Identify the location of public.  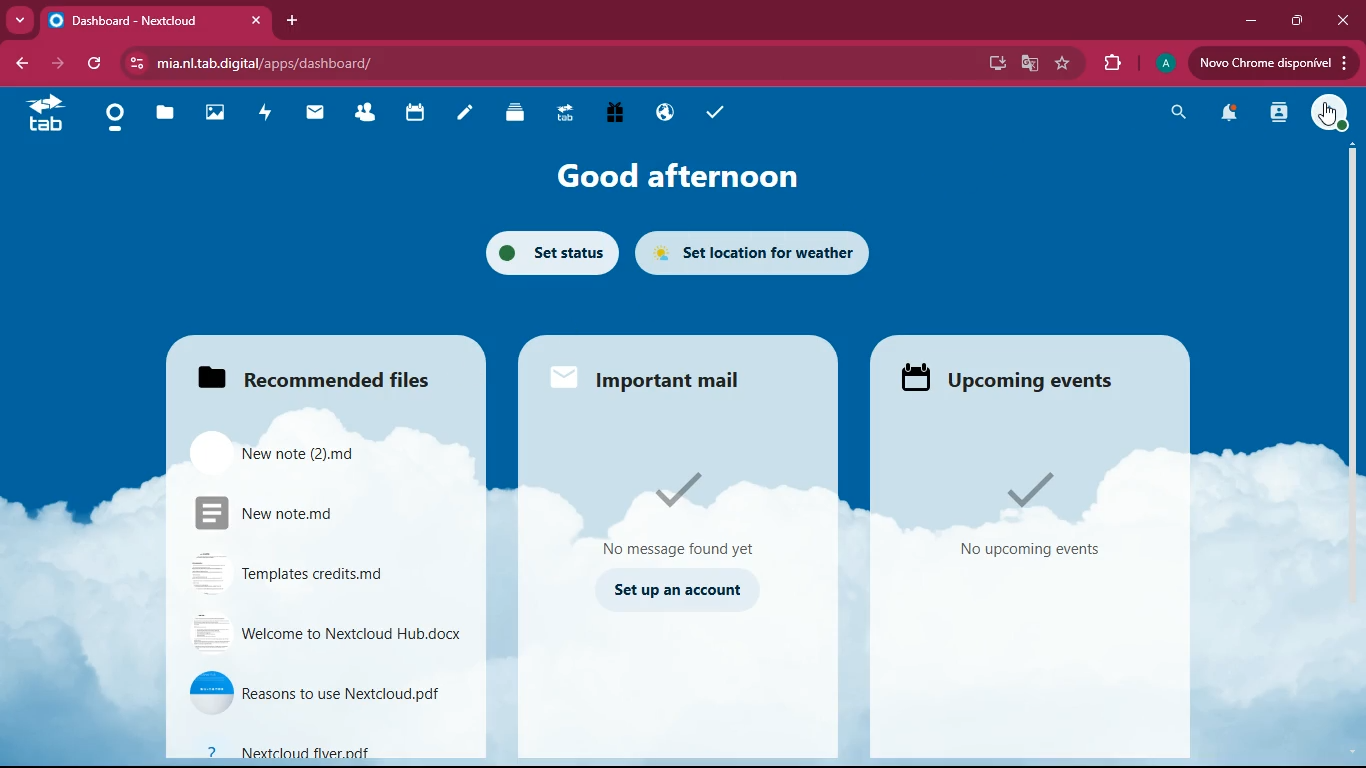
(668, 112).